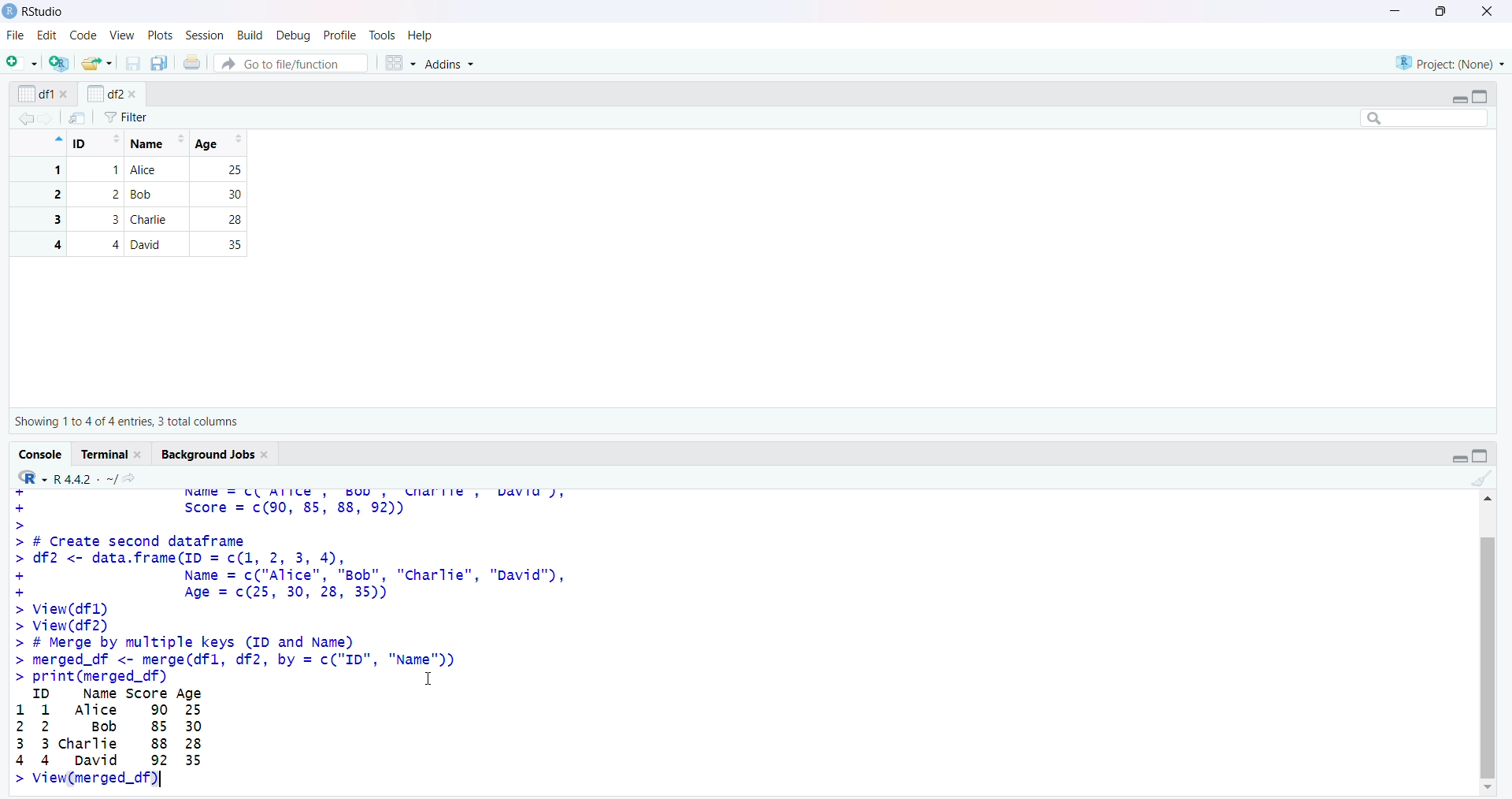 This screenshot has height=799, width=1512. What do you see at coordinates (134, 63) in the screenshot?
I see `save` at bounding box center [134, 63].